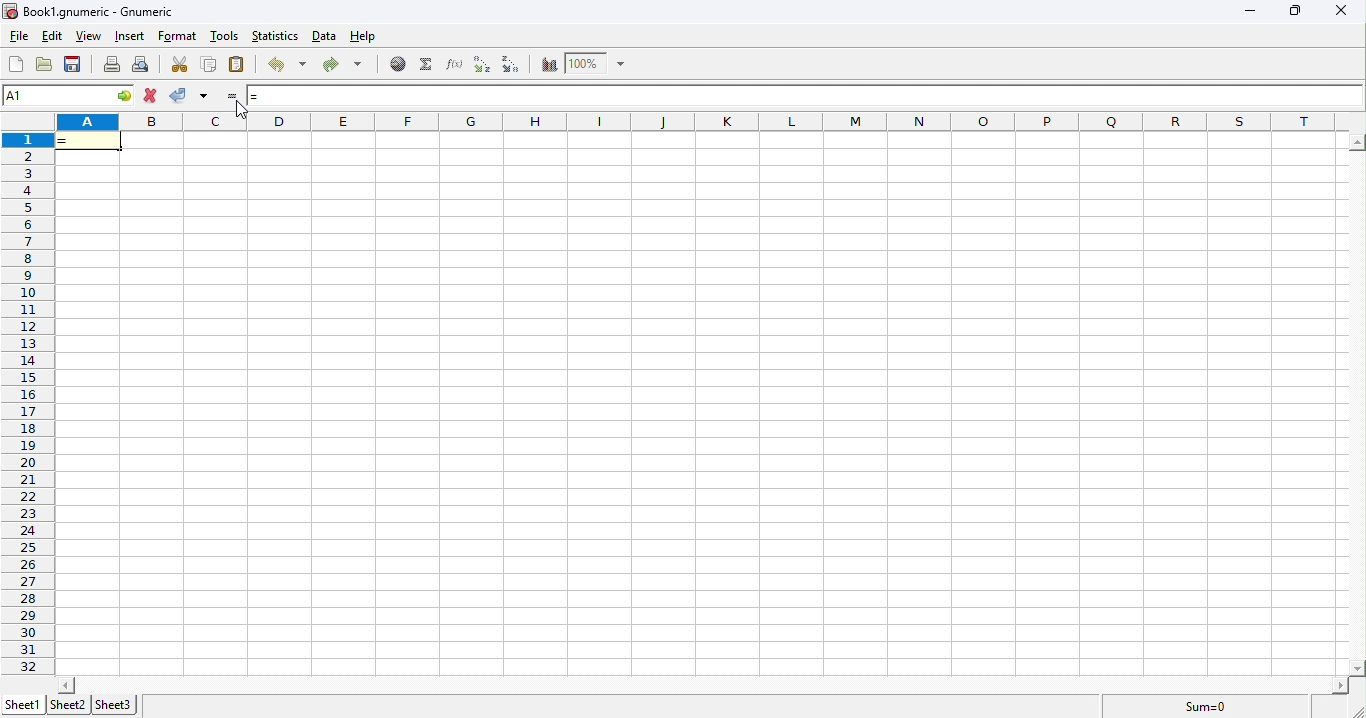 Image resolution: width=1366 pixels, height=718 pixels. I want to click on chart, so click(549, 65).